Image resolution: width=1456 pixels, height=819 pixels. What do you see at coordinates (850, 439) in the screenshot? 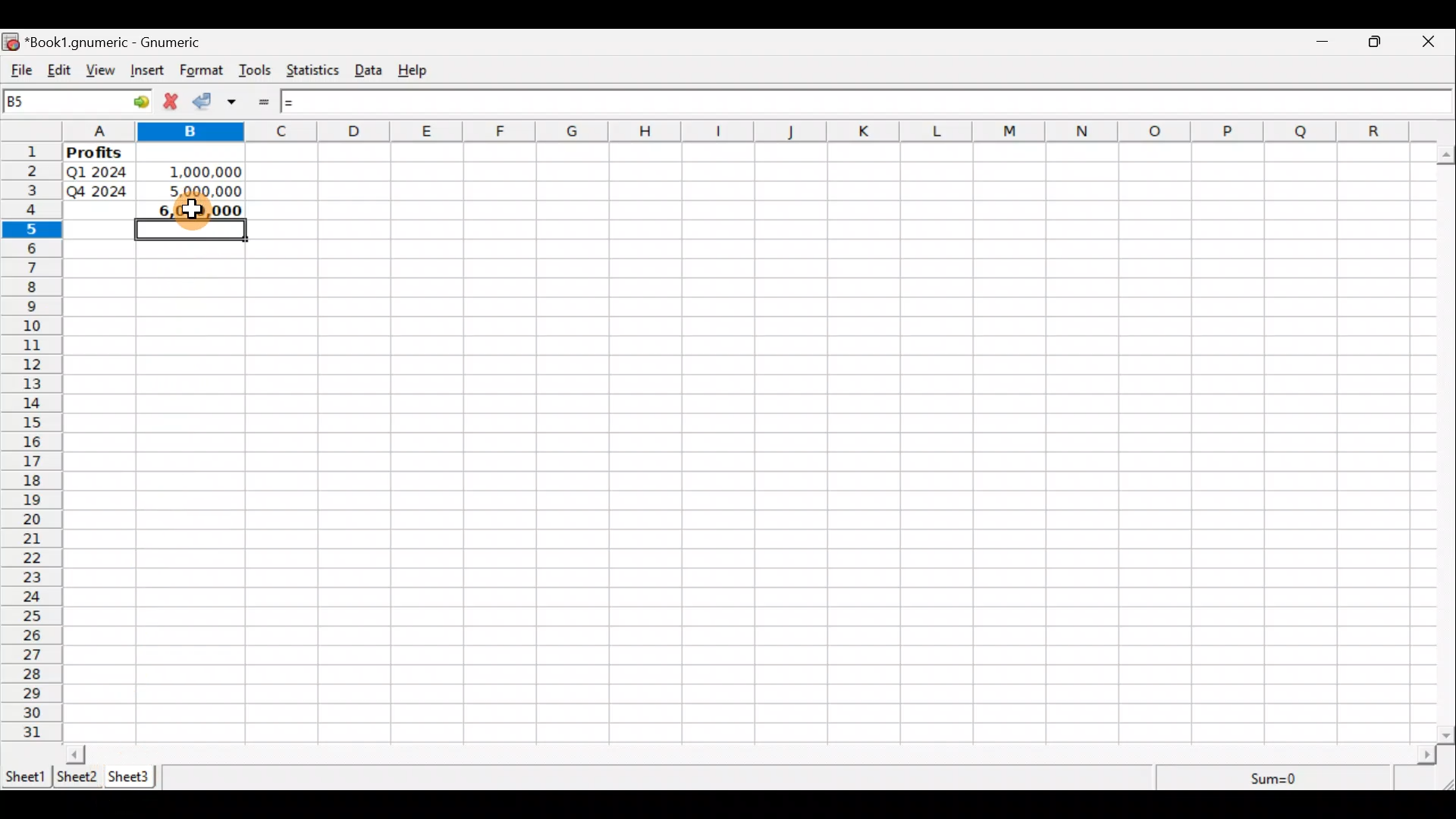
I see `Cells` at bounding box center [850, 439].